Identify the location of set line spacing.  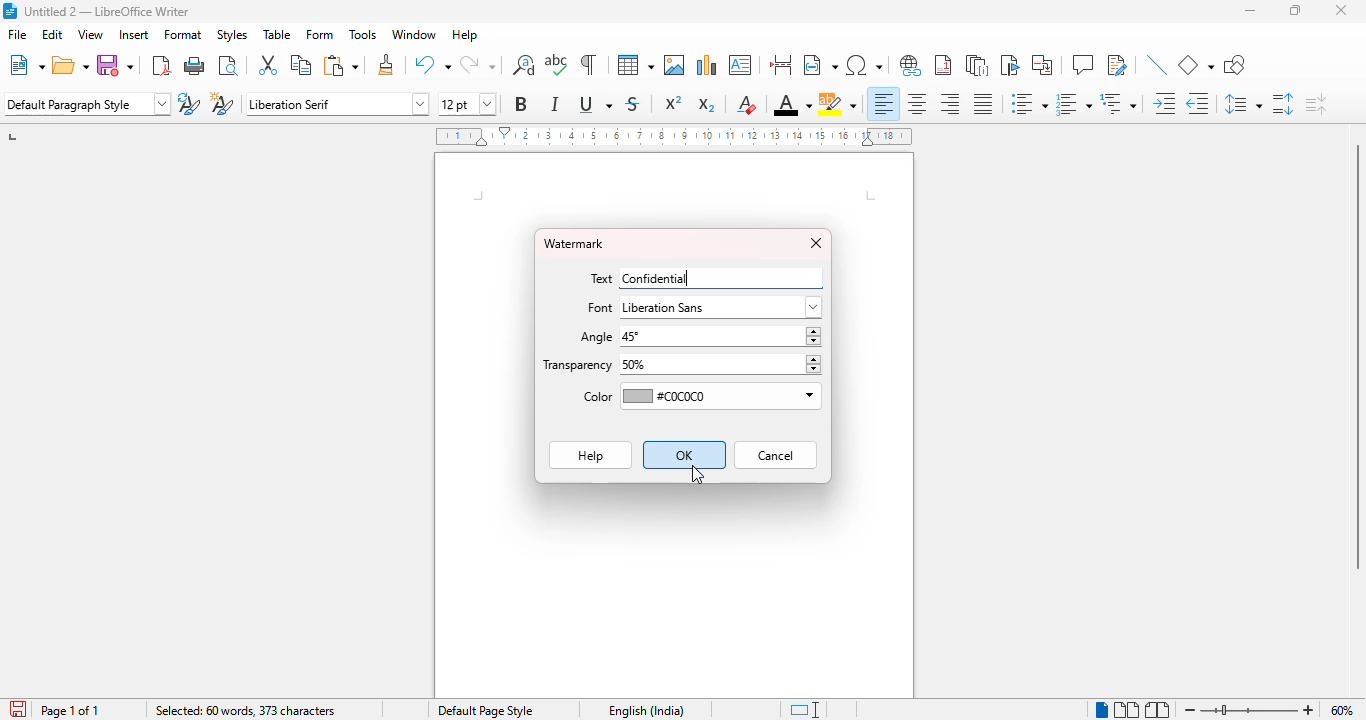
(1241, 104).